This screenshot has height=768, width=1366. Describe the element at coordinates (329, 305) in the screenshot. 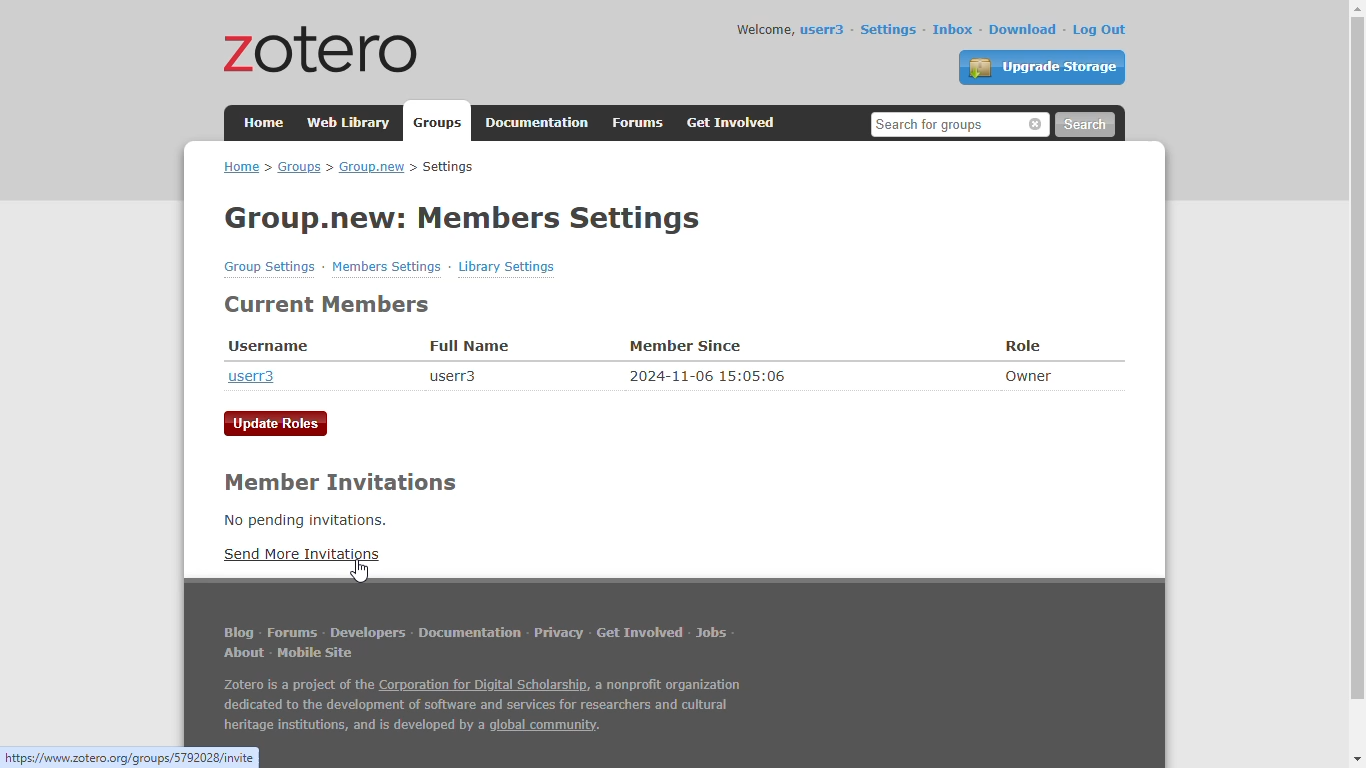

I see `current members` at that location.